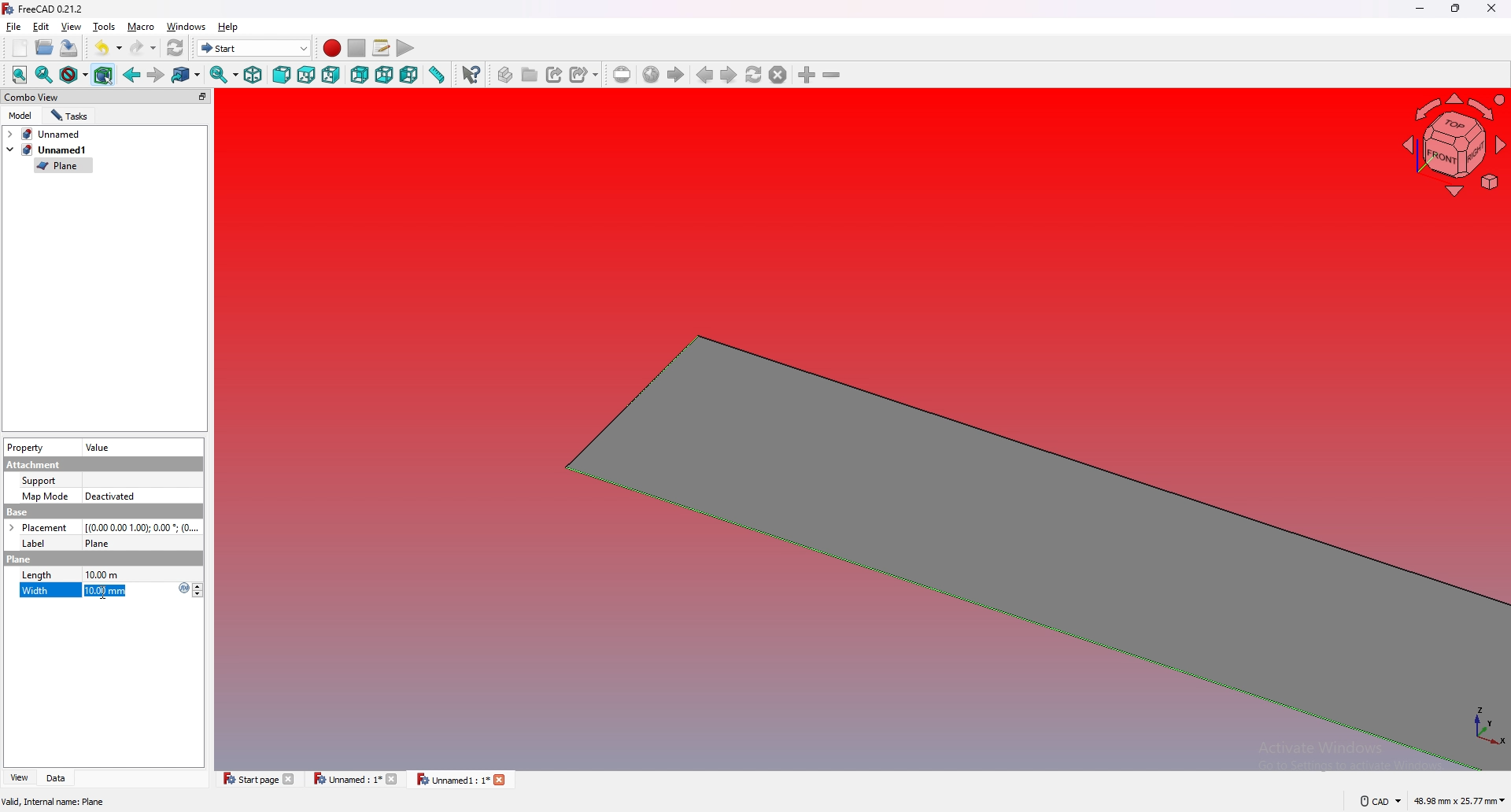 This screenshot has height=812, width=1511. I want to click on 10.00 mm, so click(144, 574).